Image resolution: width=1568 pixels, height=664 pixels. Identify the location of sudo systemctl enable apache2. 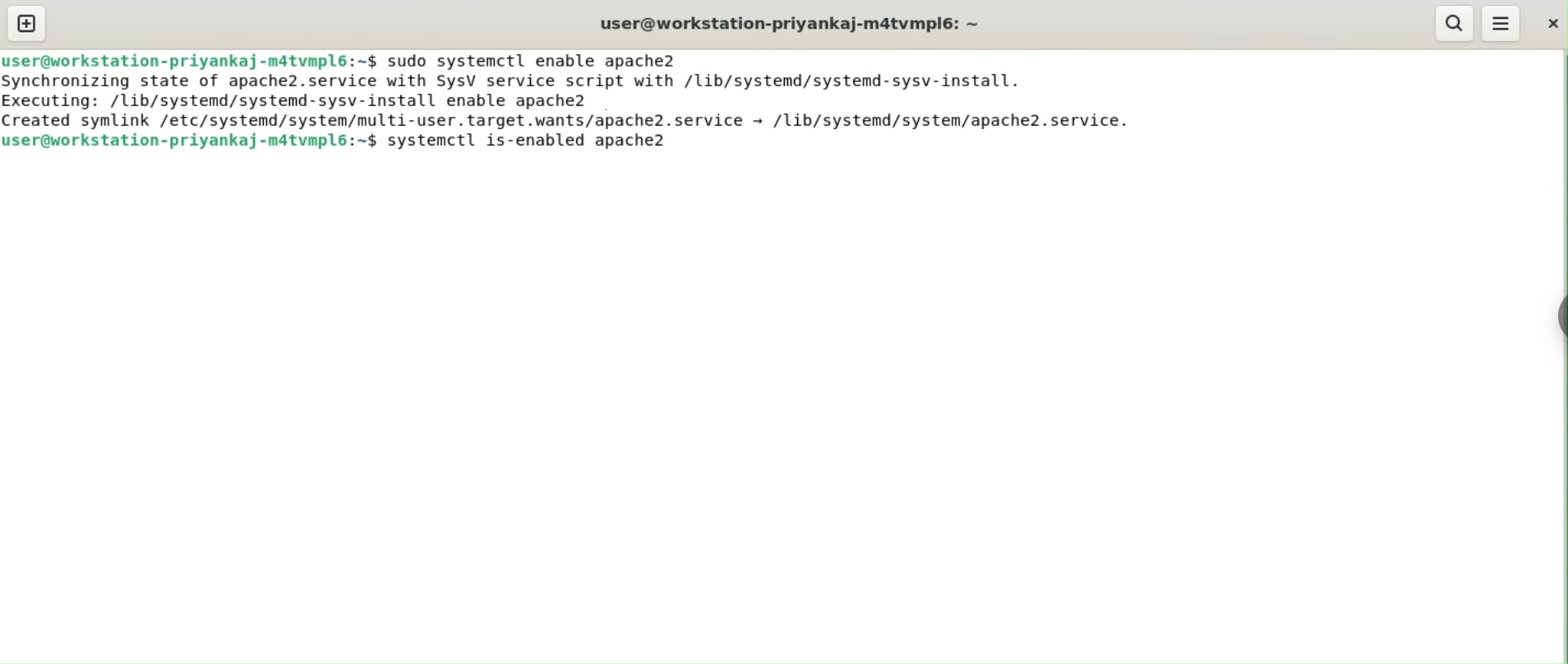
(532, 61).